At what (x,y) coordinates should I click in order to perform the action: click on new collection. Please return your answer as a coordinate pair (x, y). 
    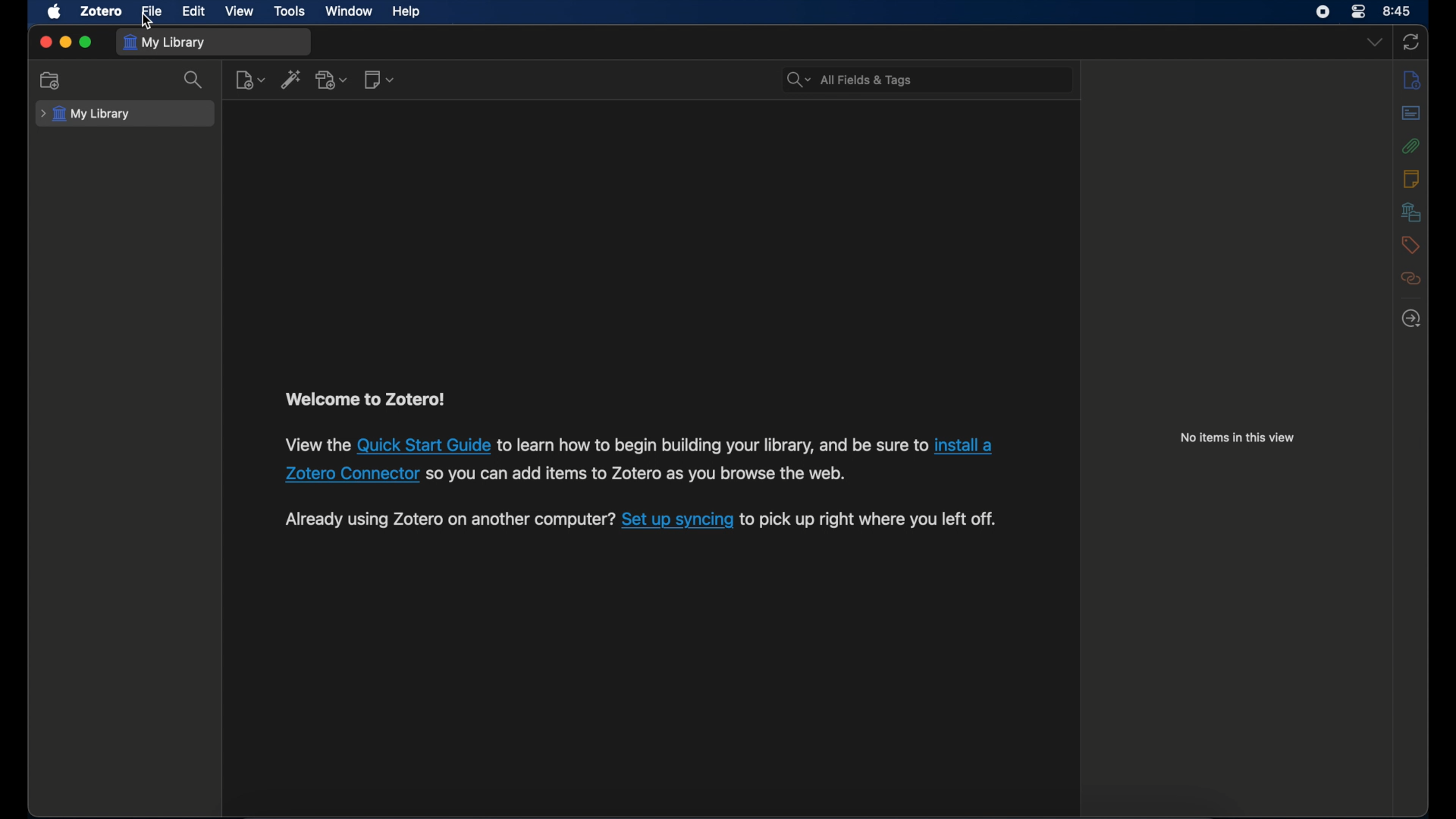
    Looking at the image, I should click on (51, 80).